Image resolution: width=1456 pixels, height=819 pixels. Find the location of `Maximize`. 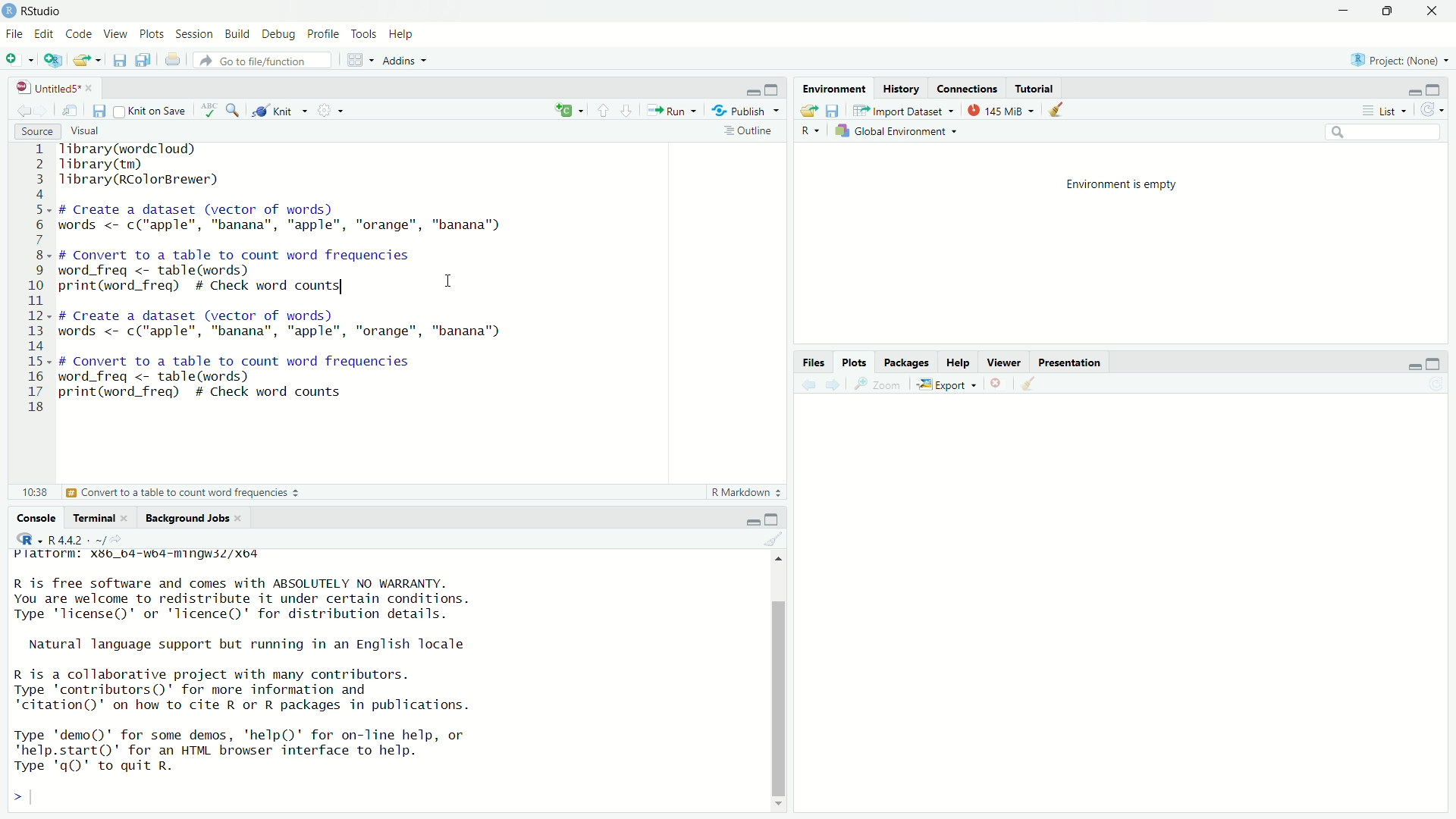

Maximize is located at coordinates (774, 90).